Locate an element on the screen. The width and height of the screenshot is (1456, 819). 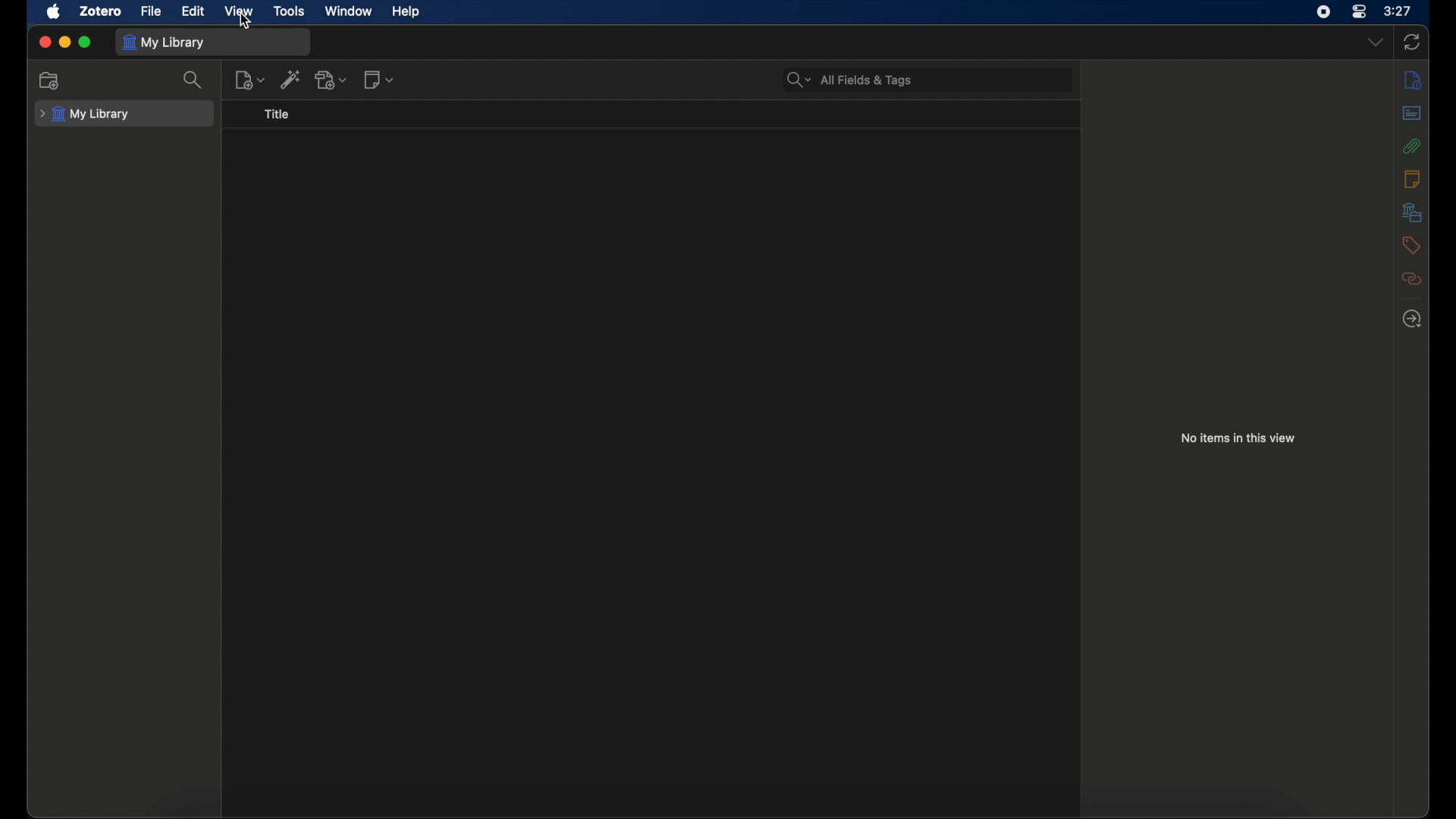
info is located at coordinates (1412, 178).